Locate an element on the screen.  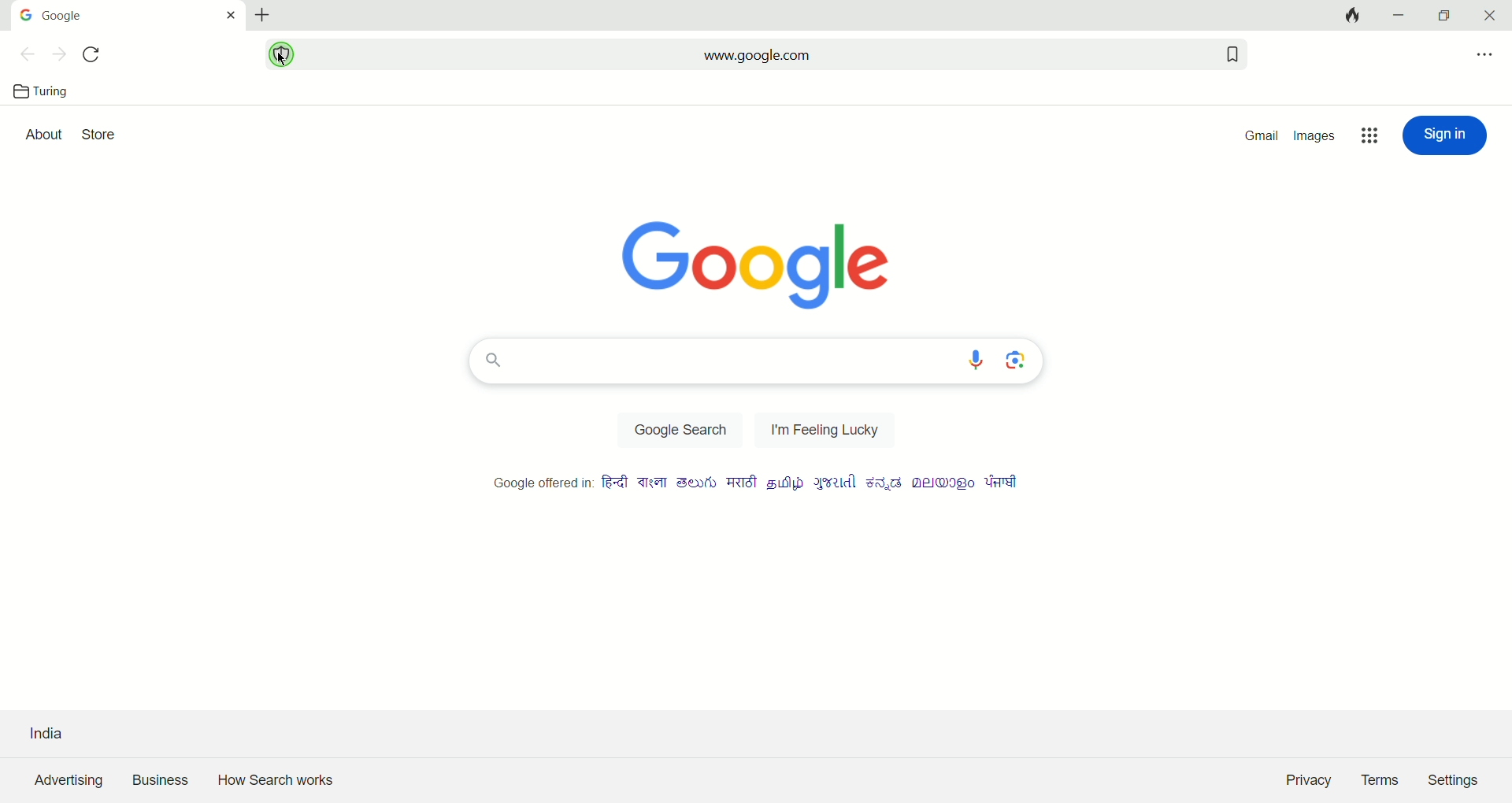
language 1 is located at coordinates (617, 481).